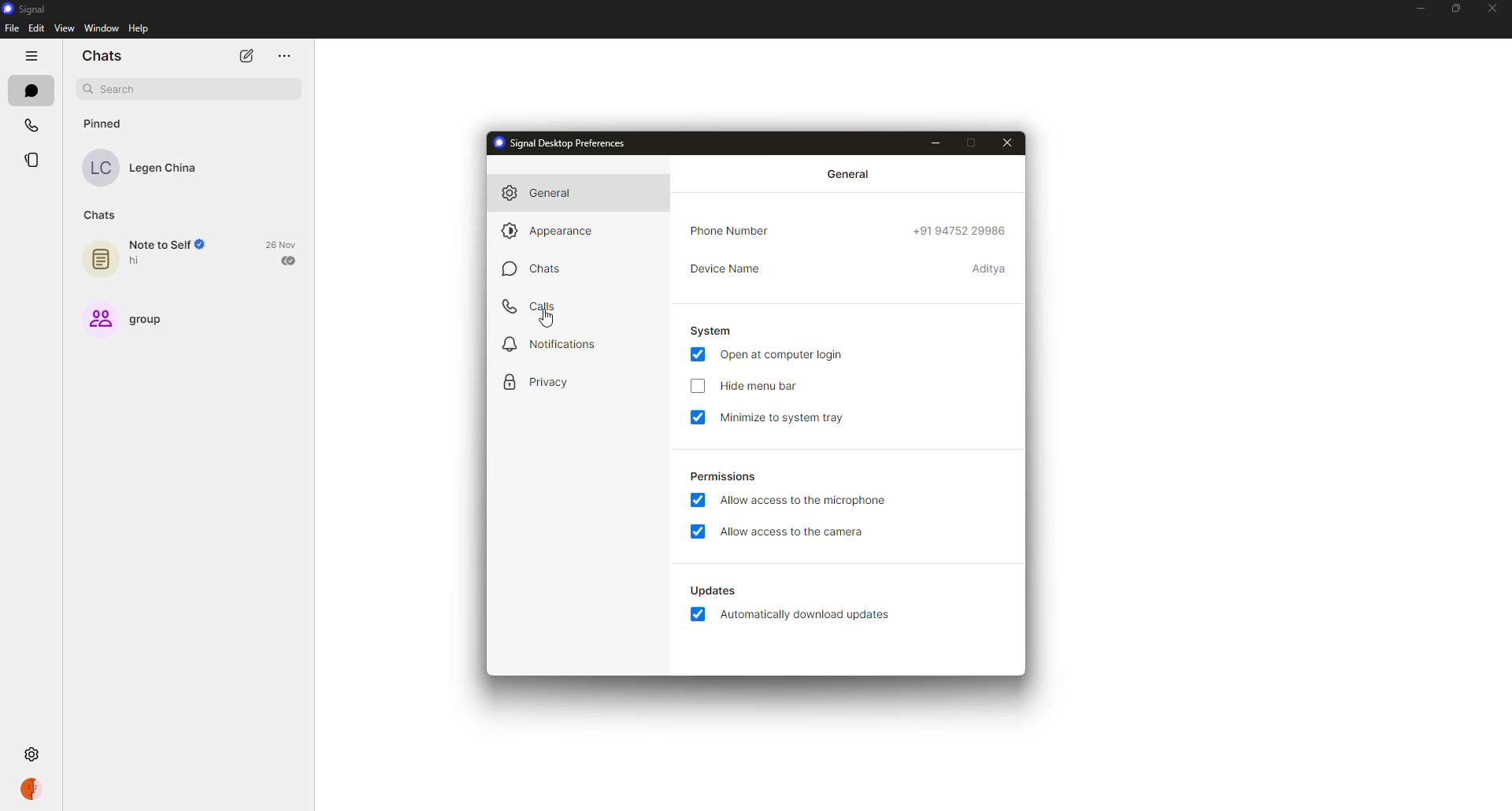  I want to click on cursor, so click(548, 320).